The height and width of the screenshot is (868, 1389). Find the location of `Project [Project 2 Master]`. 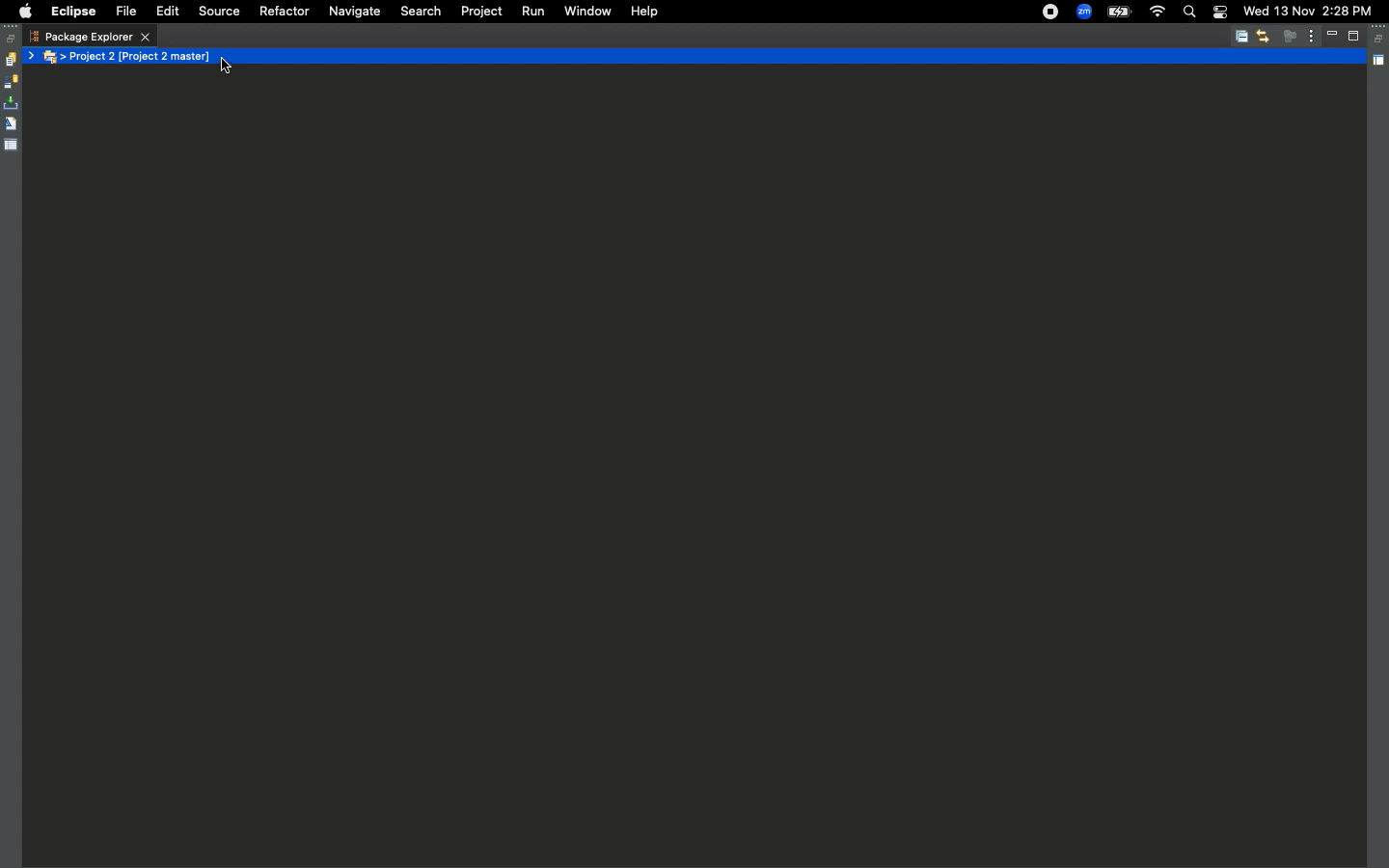

Project [Project 2 Master] is located at coordinates (716, 56).